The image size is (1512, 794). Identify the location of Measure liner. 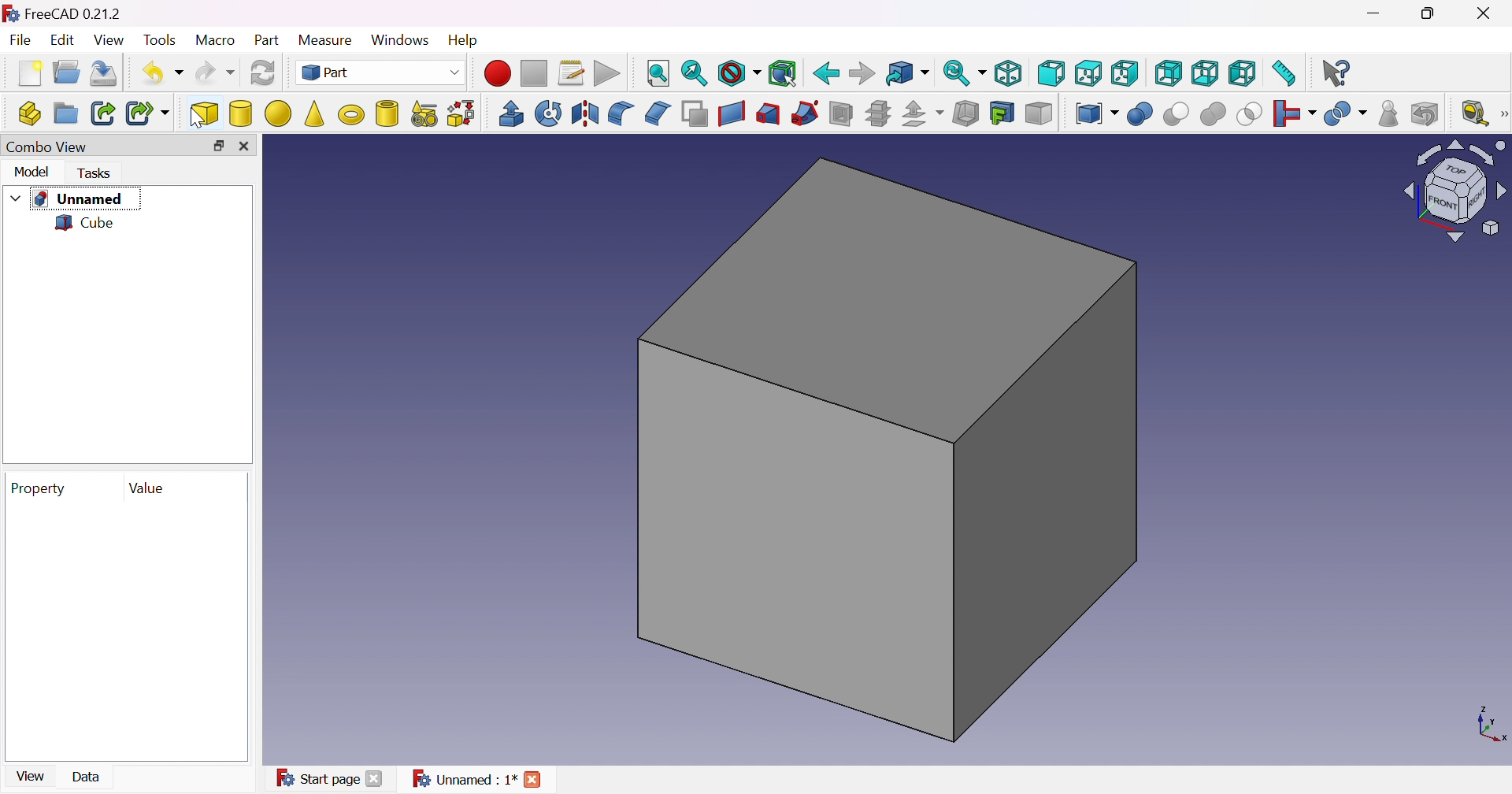
(1473, 112).